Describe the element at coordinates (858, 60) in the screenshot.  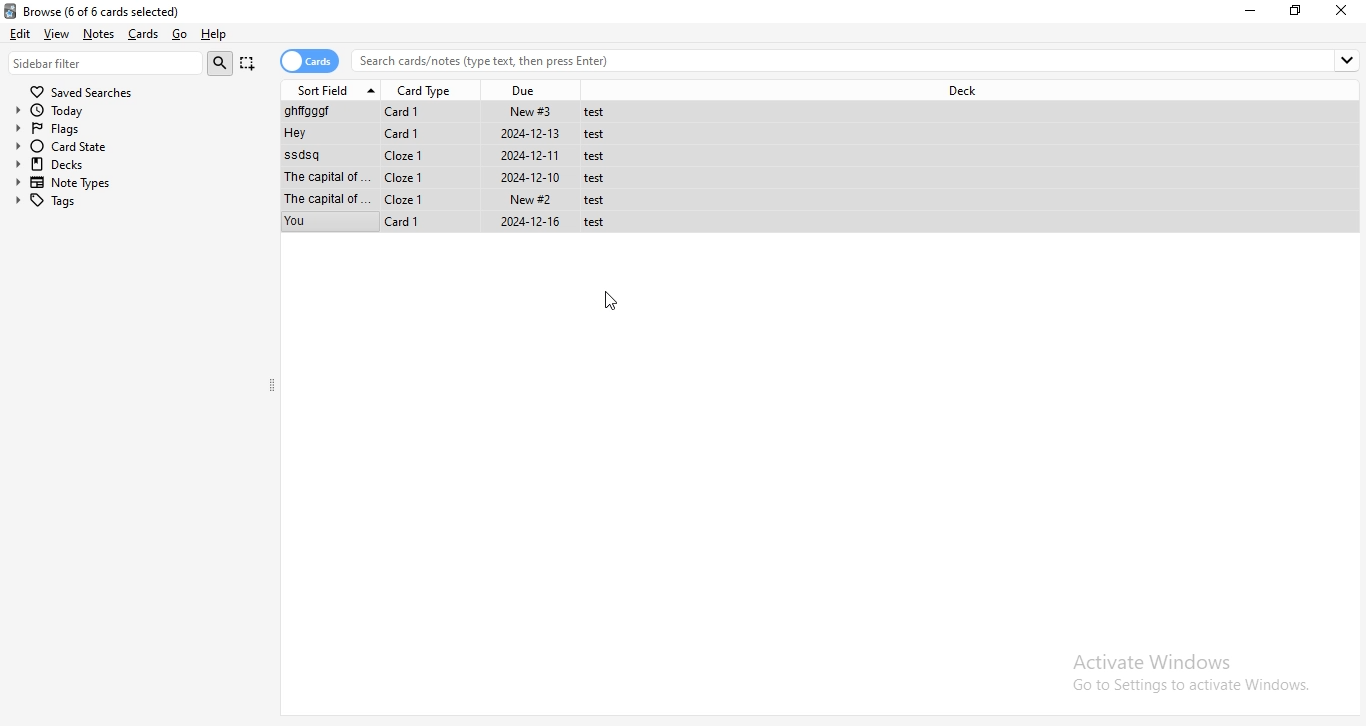
I see `search bar` at that location.